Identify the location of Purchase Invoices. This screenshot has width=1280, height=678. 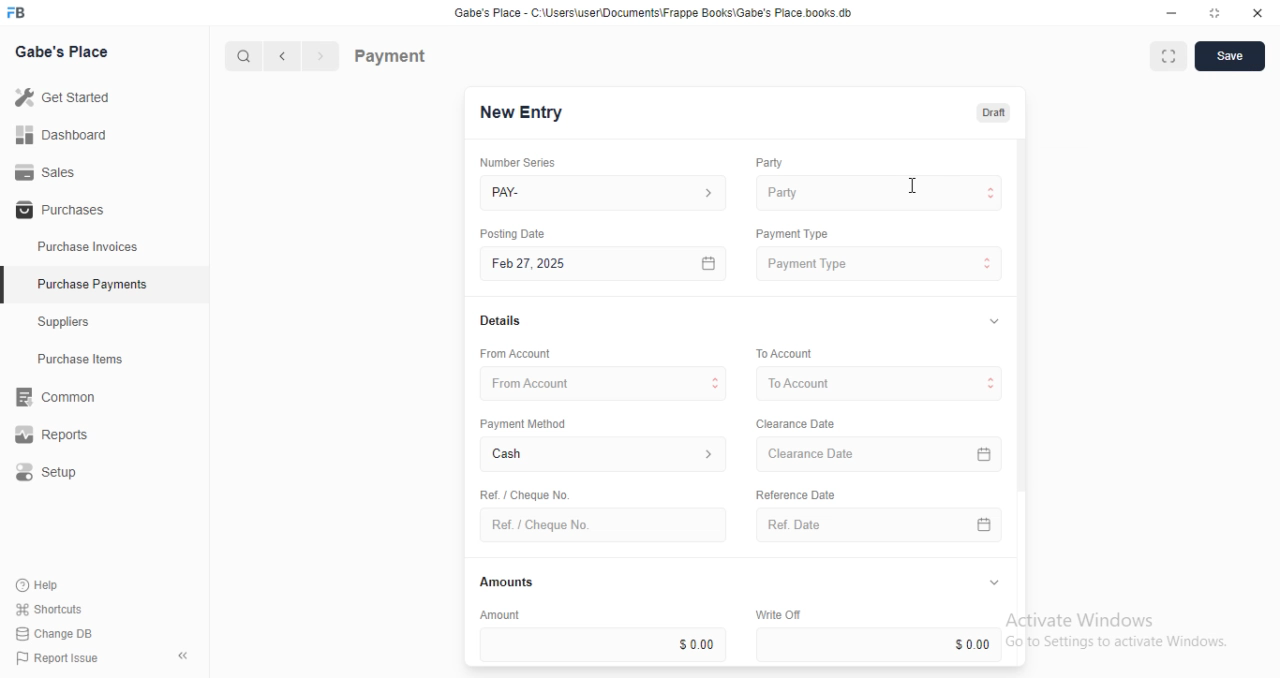
(88, 247).